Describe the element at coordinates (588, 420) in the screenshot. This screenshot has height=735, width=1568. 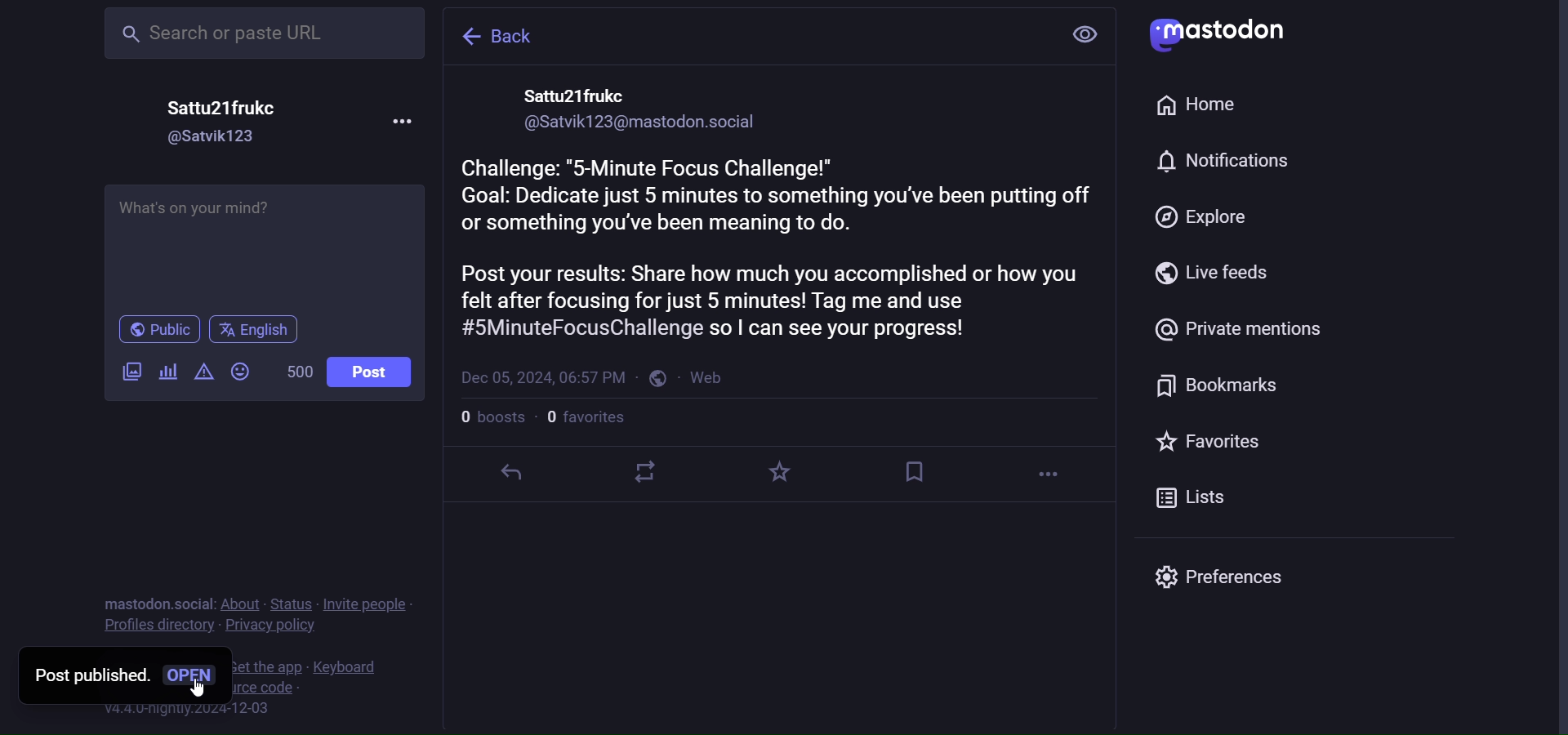
I see `number of favorites` at that location.